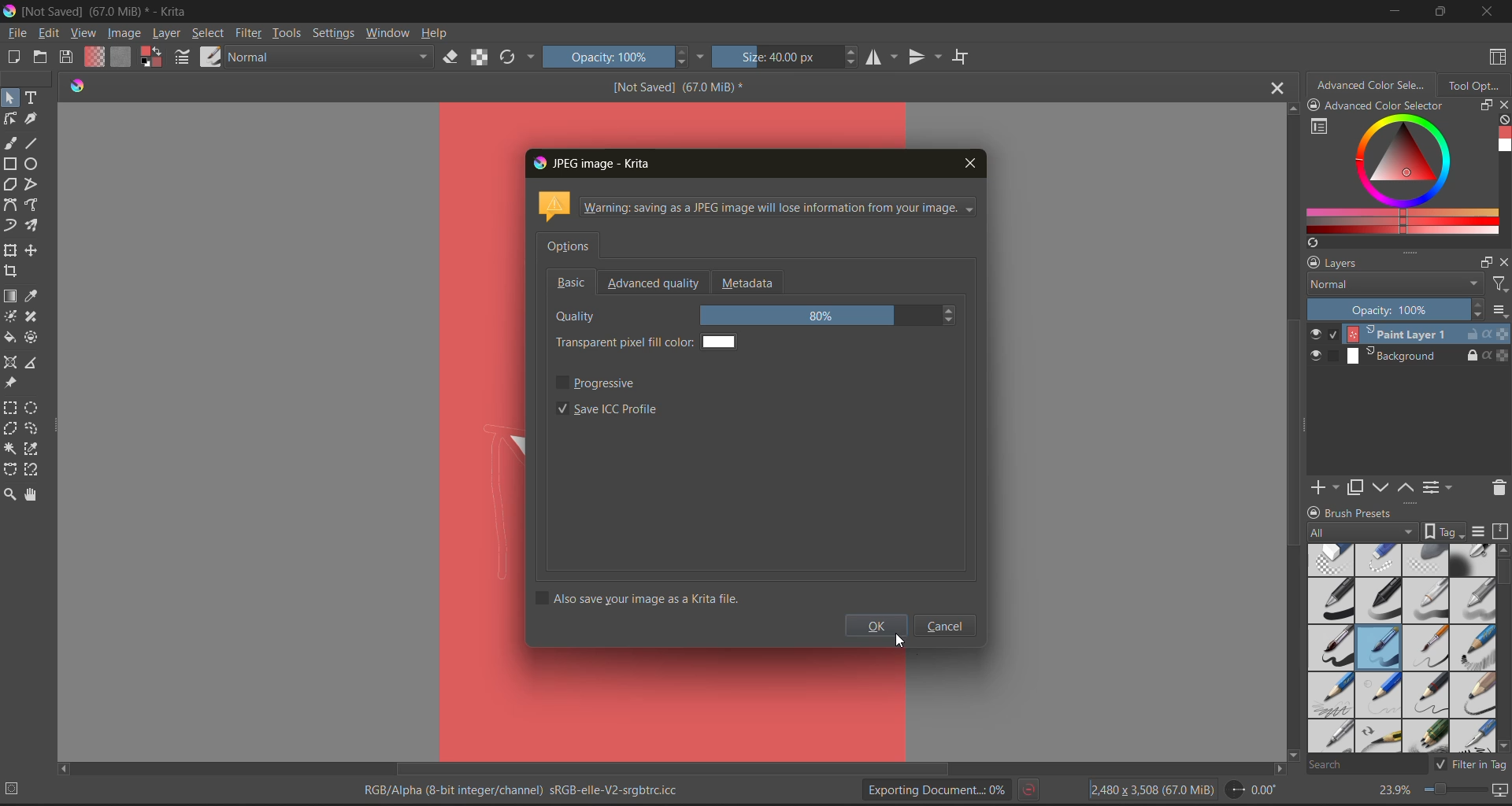 The width and height of the screenshot is (1512, 806). What do you see at coordinates (1406, 311) in the screenshot?
I see `opacity` at bounding box center [1406, 311].